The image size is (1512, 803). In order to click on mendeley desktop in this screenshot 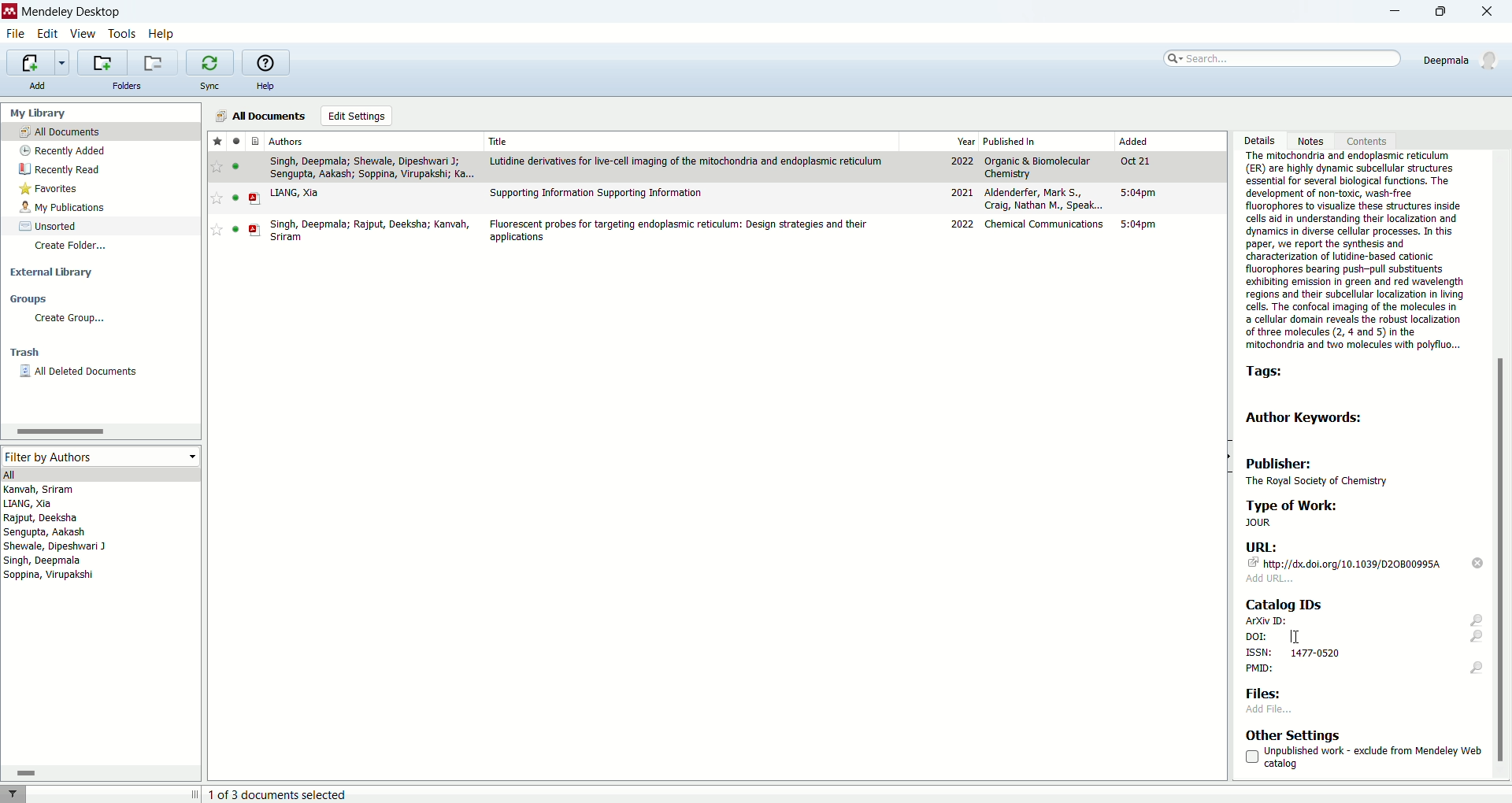, I will do `click(72, 14)`.